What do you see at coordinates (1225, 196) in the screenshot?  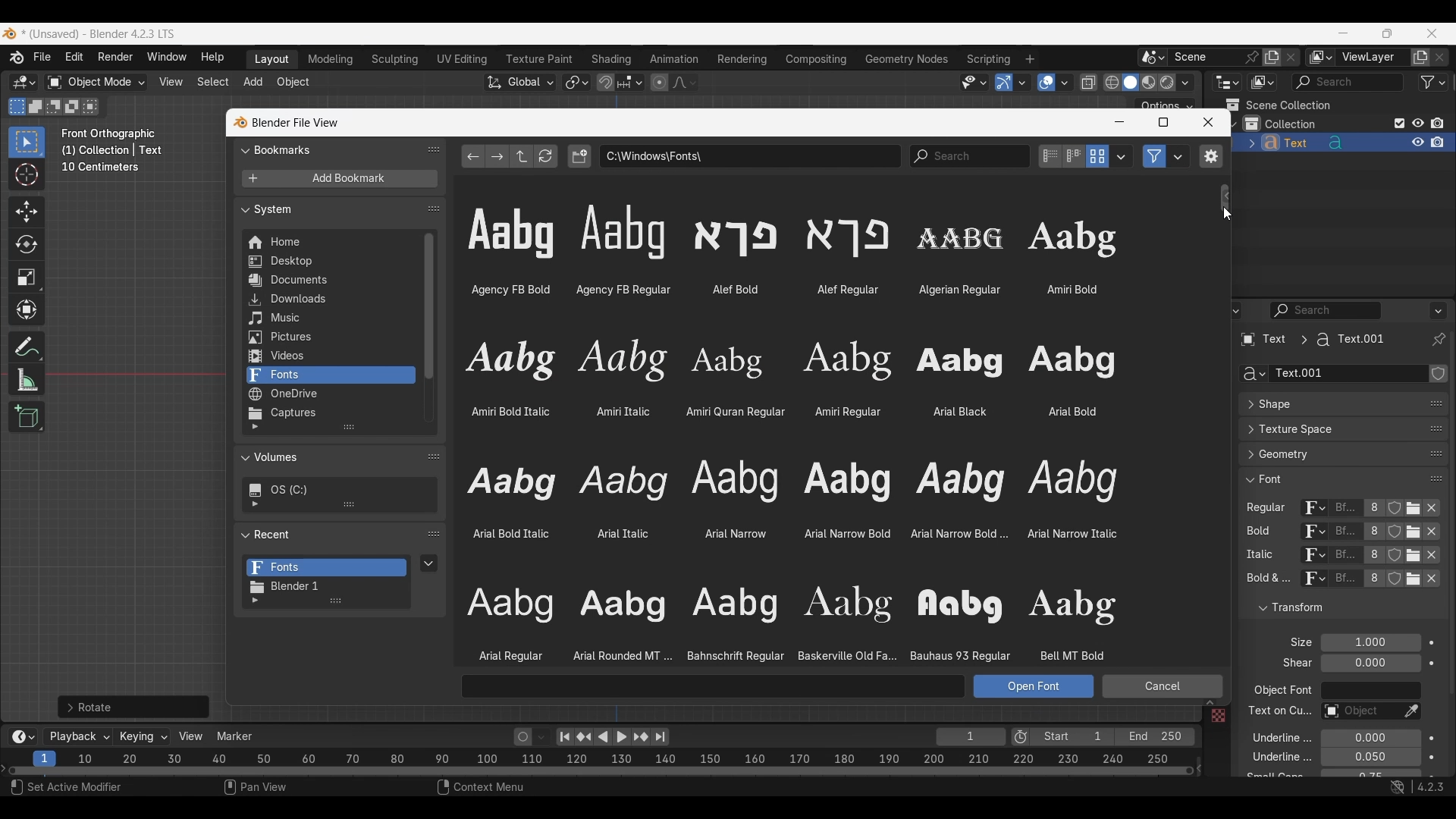 I see `Show path history` at bounding box center [1225, 196].